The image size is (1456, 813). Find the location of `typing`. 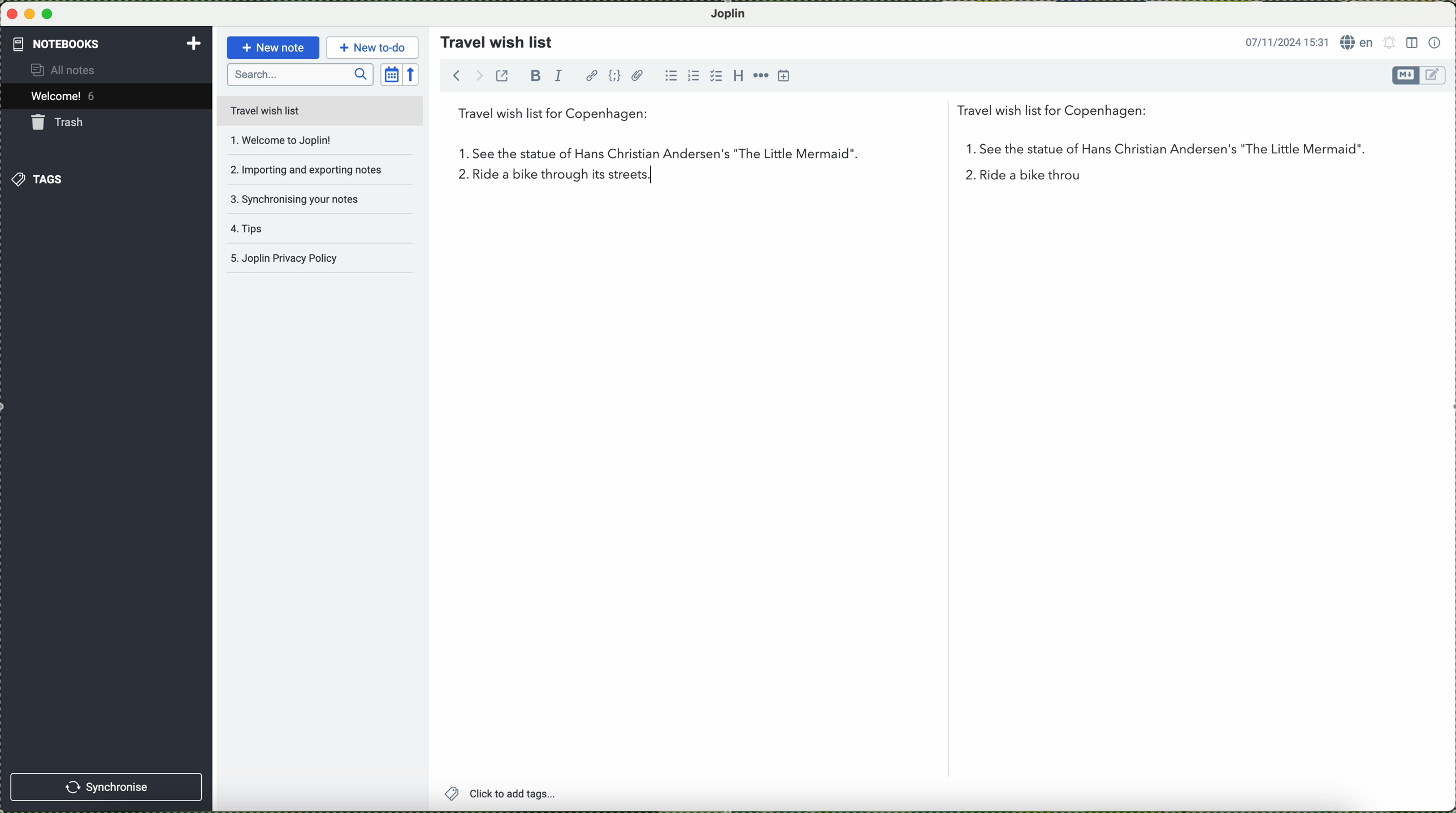

typing is located at coordinates (653, 174).